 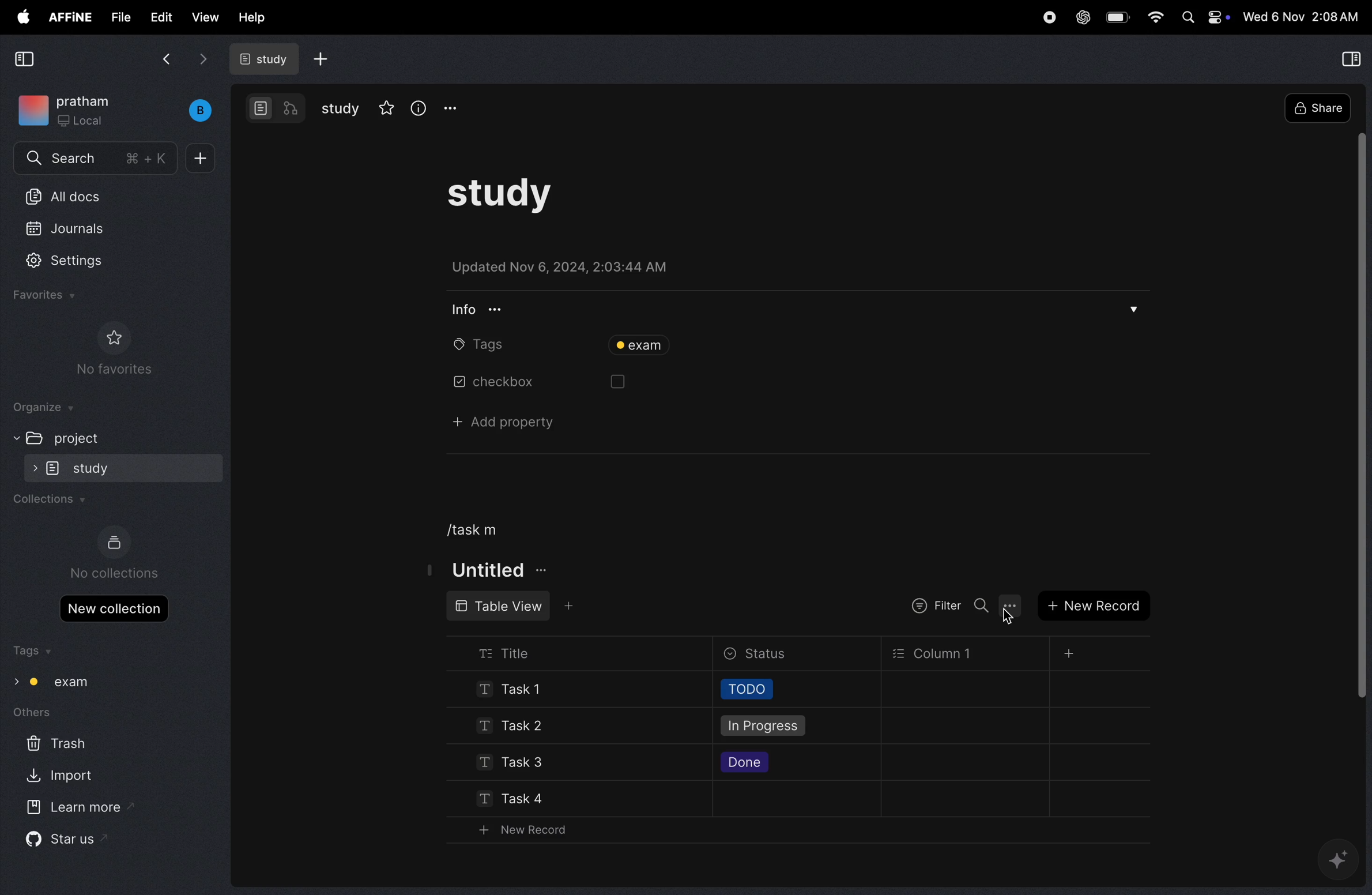 What do you see at coordinates (468, 529) in the screenshot?
I see `/task m` at bounding box center [468, 529].